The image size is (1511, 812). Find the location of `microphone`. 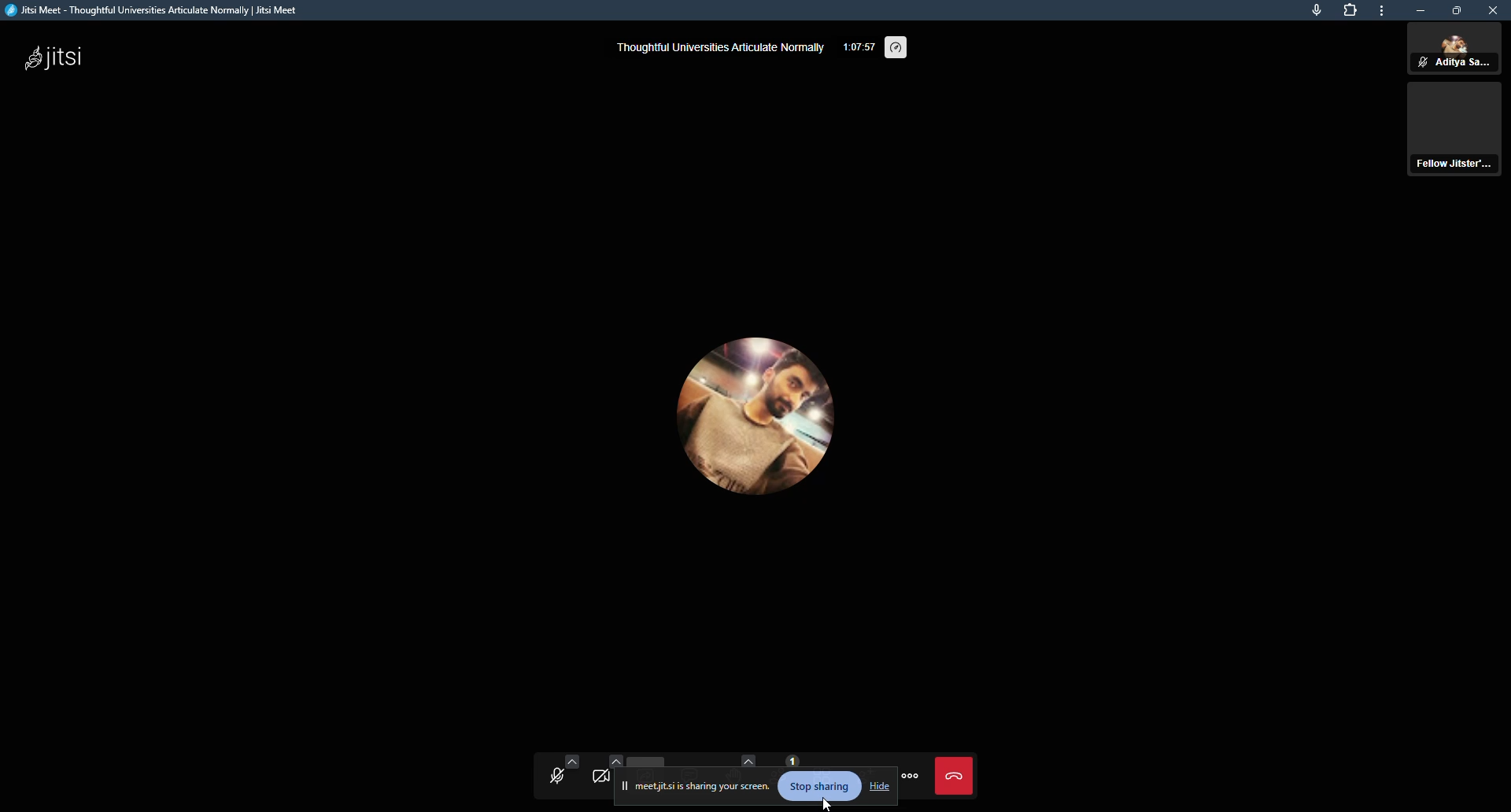

microphone is located at coordinates (1316, 10).